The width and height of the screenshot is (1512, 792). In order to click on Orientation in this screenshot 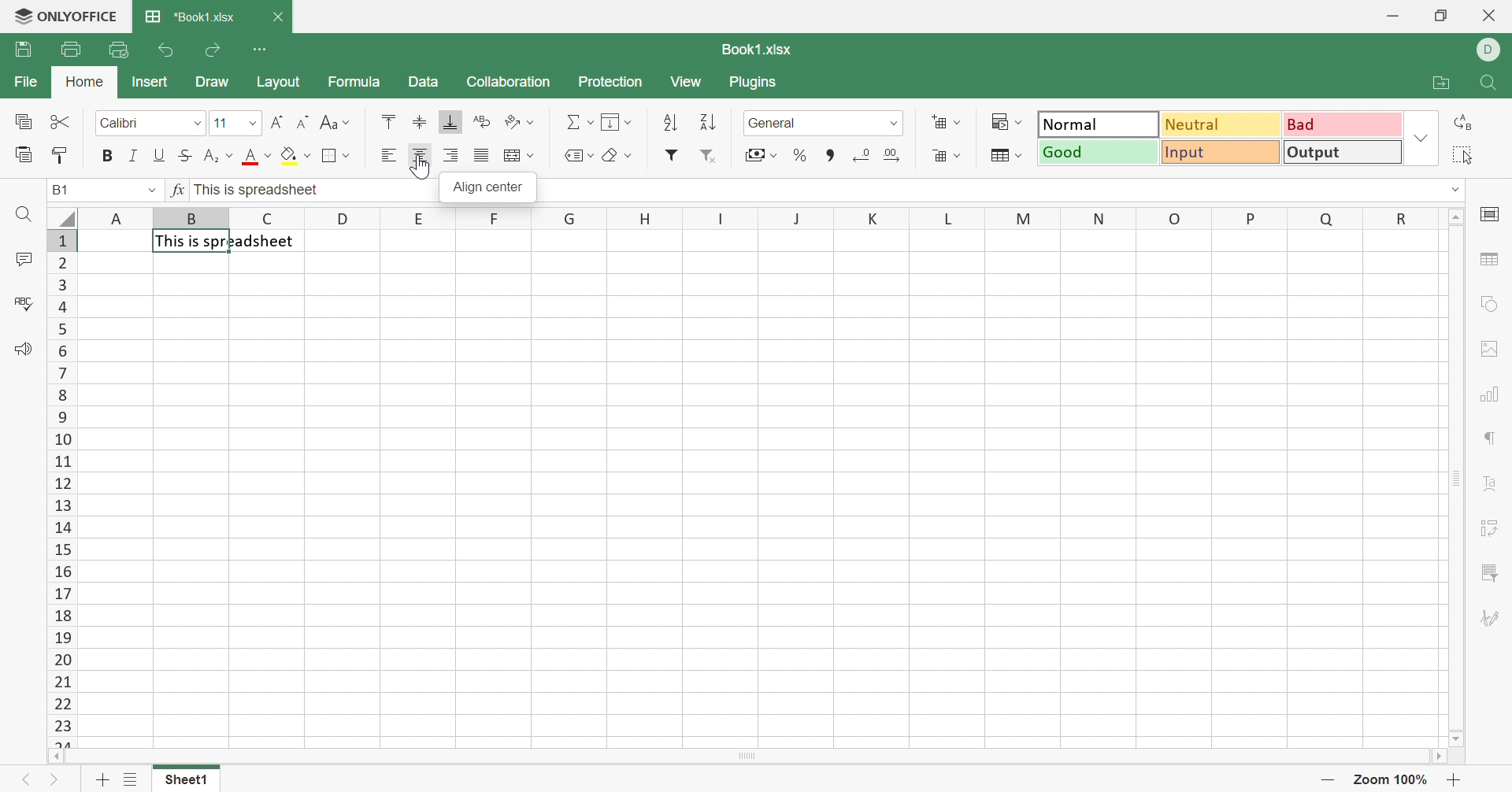, I will do `click(513, 121)`.